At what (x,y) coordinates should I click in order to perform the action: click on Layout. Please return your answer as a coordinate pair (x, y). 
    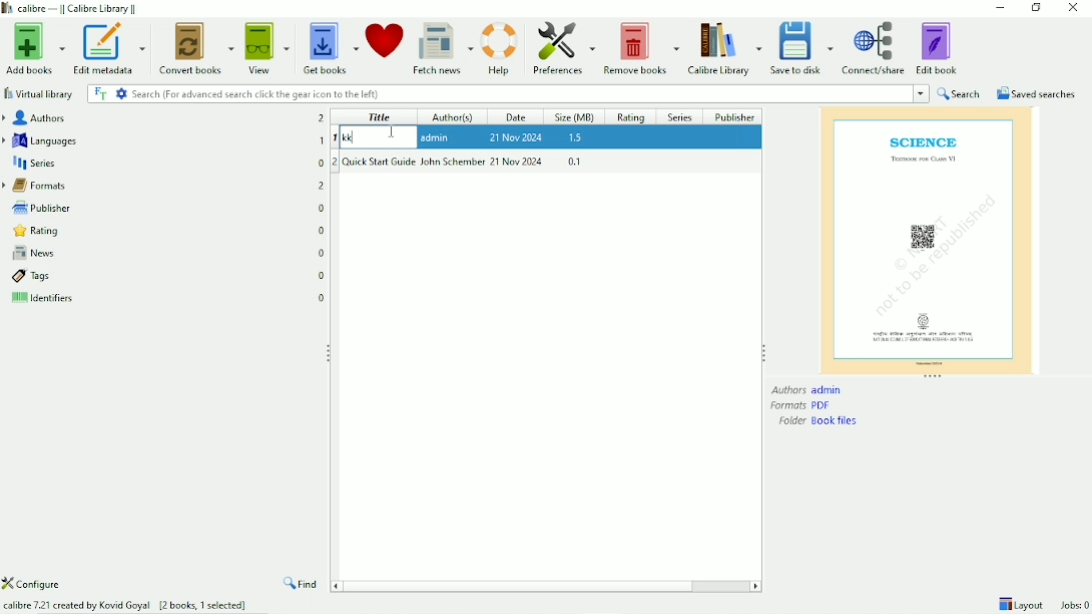
    Looking at the image, I should click on (1020, 603).